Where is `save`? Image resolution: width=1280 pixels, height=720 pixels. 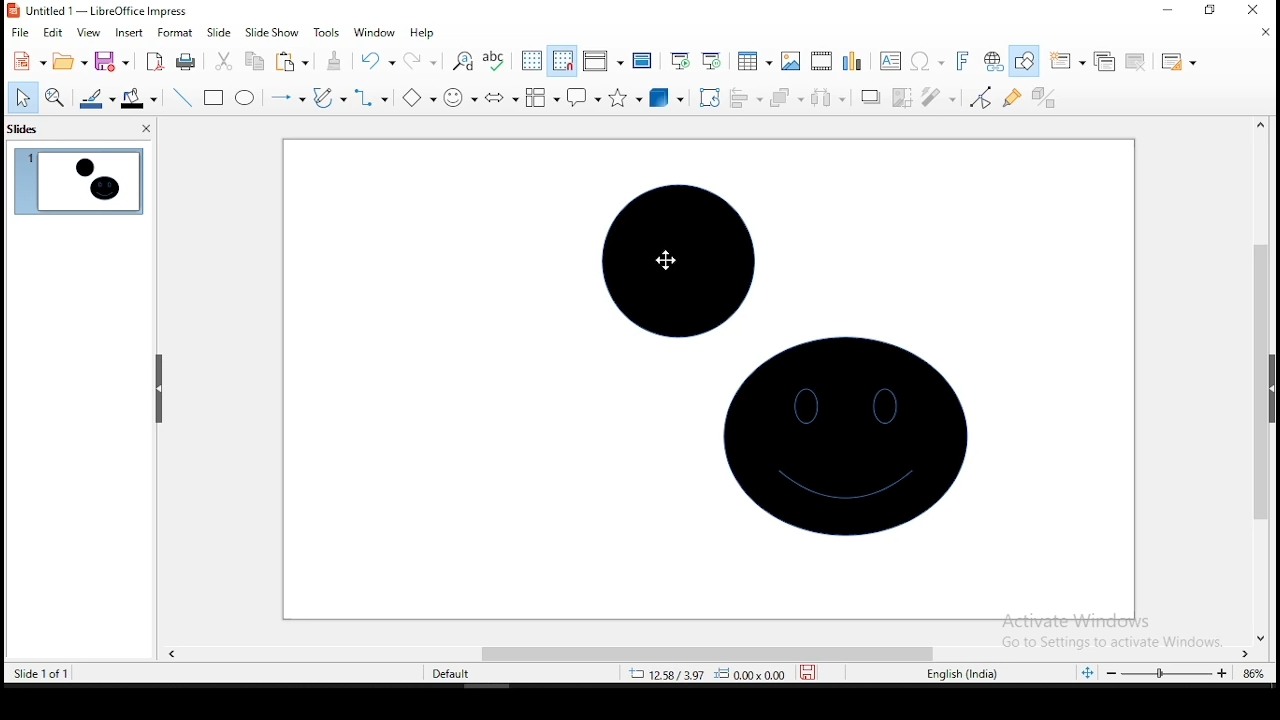 save is located at coordinates (811, 673).